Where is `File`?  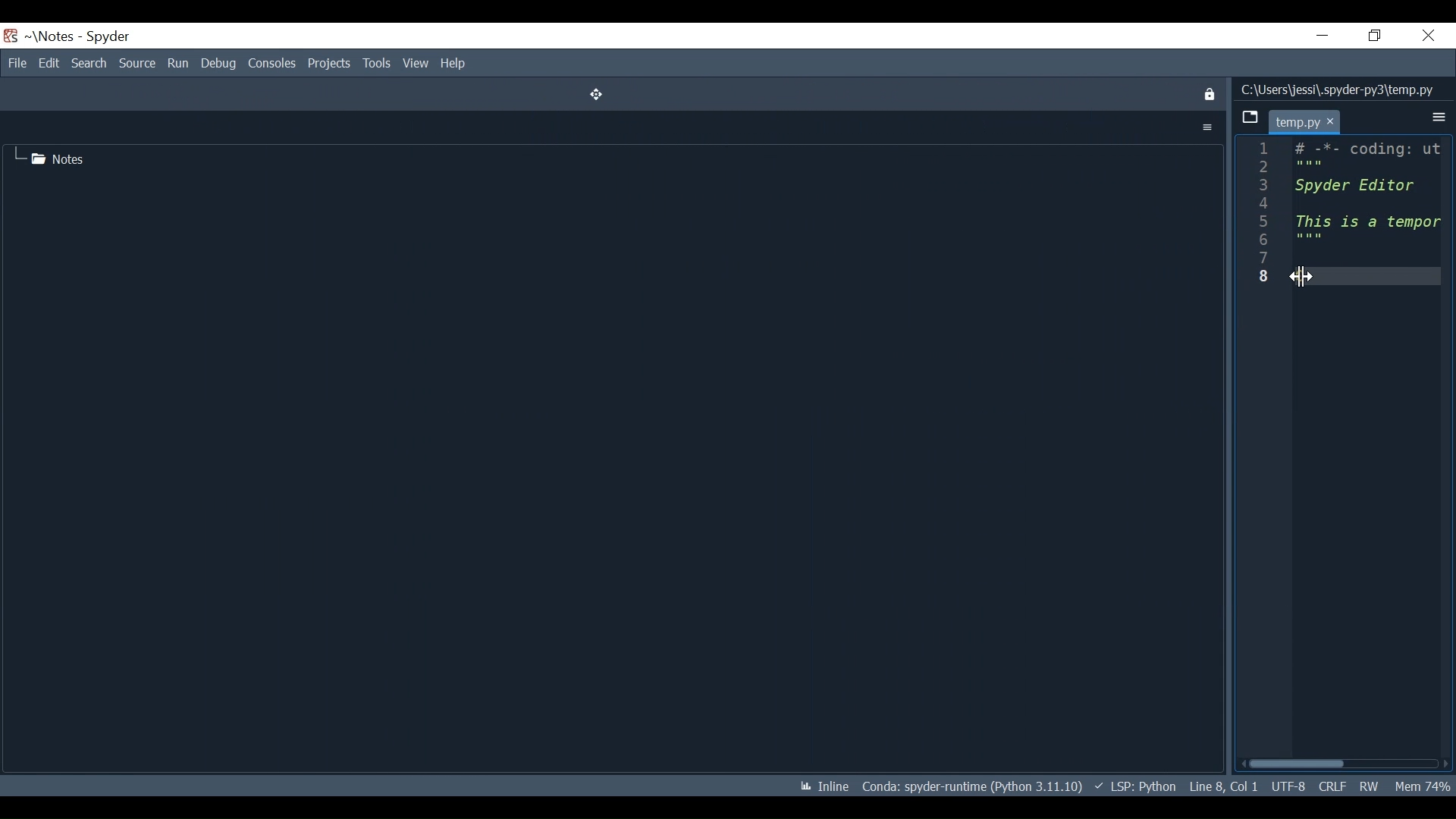
File is located at coordinates (15, 63).